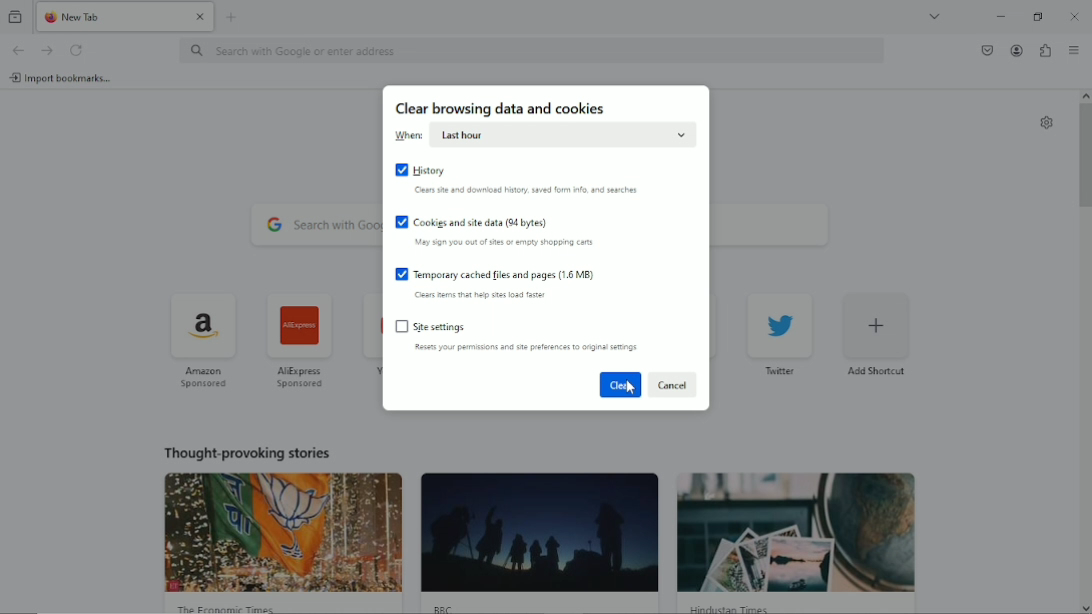 The width and height of the screenshot is (1092, 614). What do you see at coordinates (505, 243) in the screenshot?
I see `May sign you out of sites or empty shopping carts` at bounding box center [505, 243].